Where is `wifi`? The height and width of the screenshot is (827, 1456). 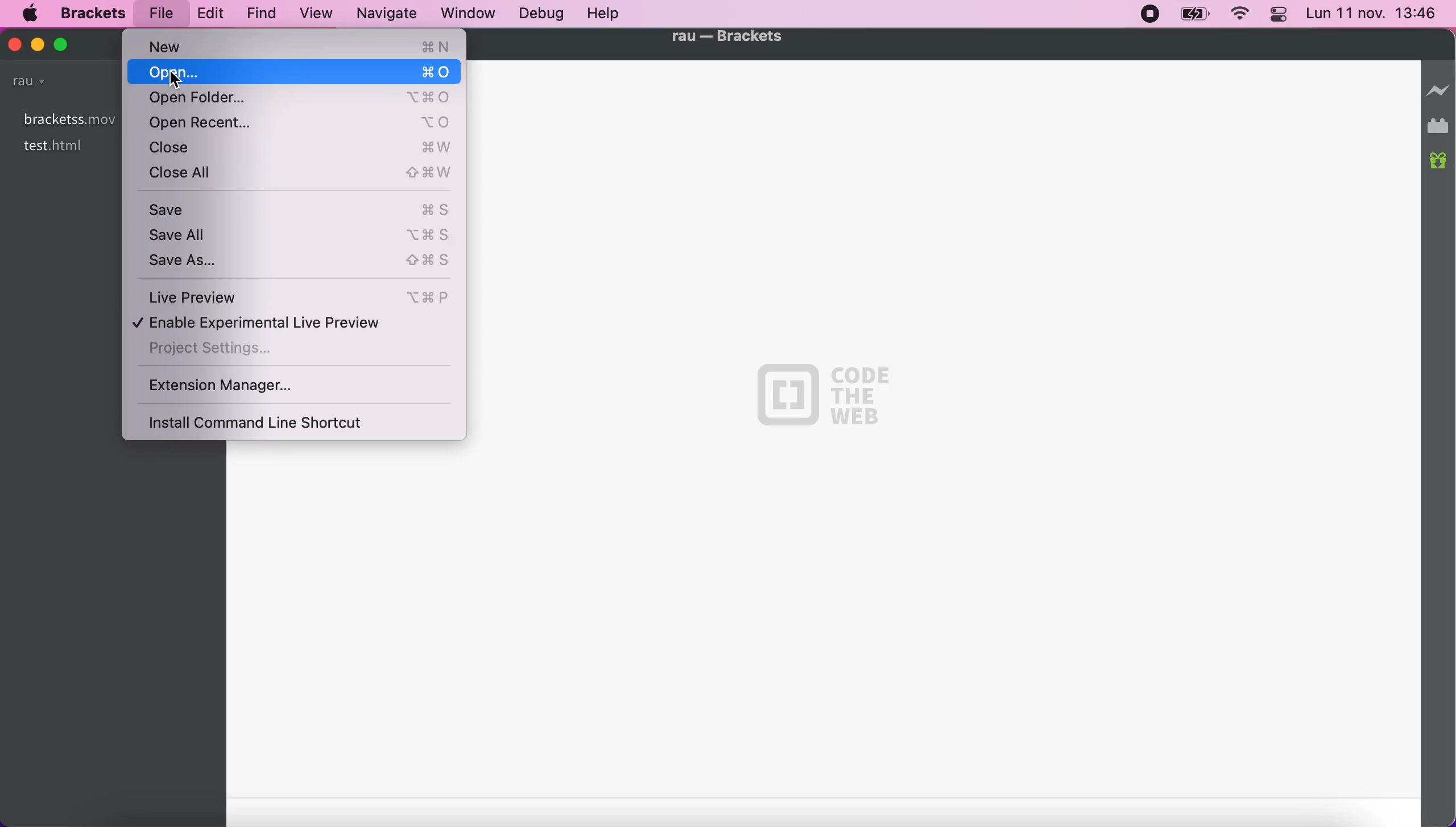
wifi is located at coordinates (1239, 16).